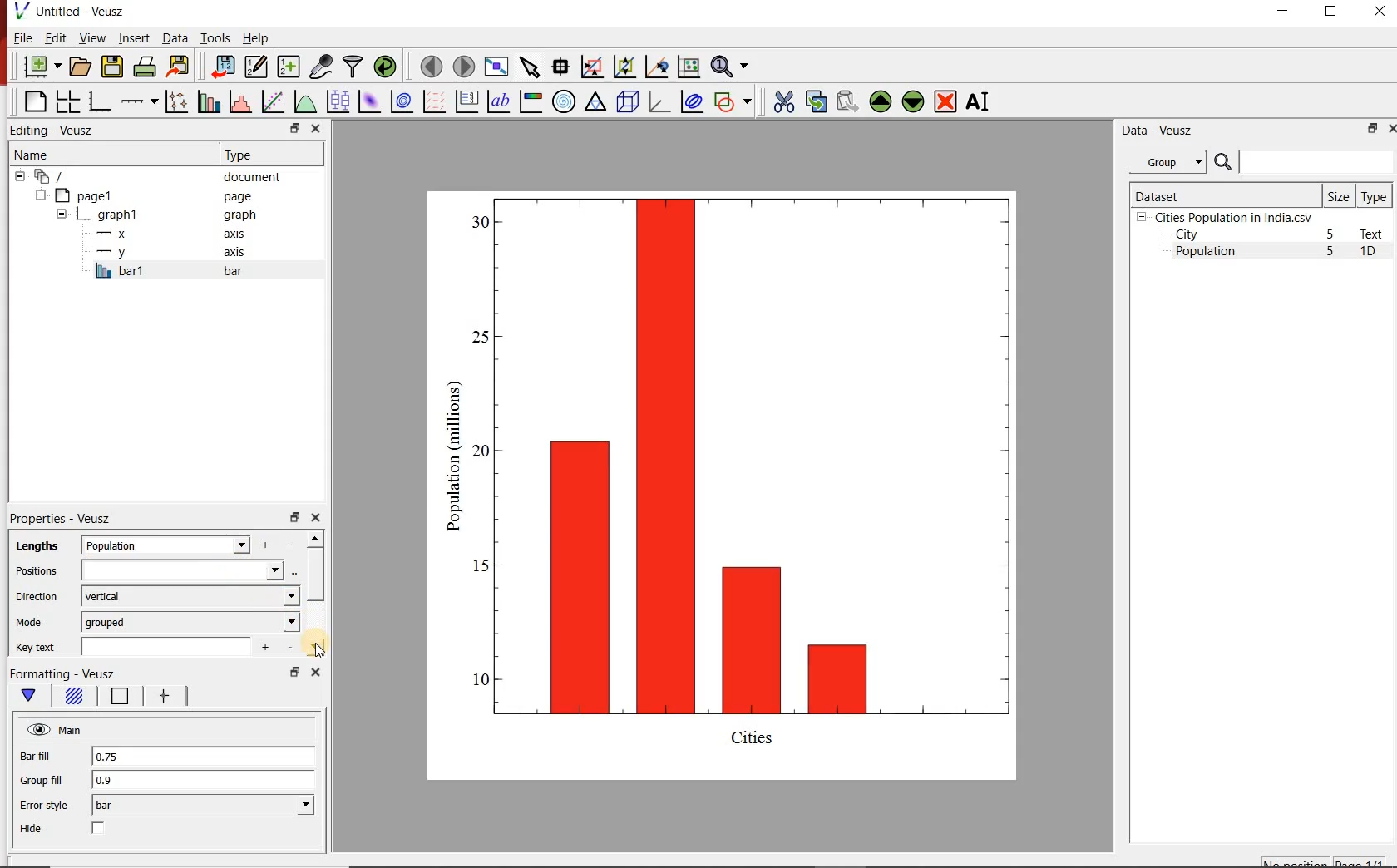 The image size is (1397, 868). I want to click on blank page, so click(33, 102).